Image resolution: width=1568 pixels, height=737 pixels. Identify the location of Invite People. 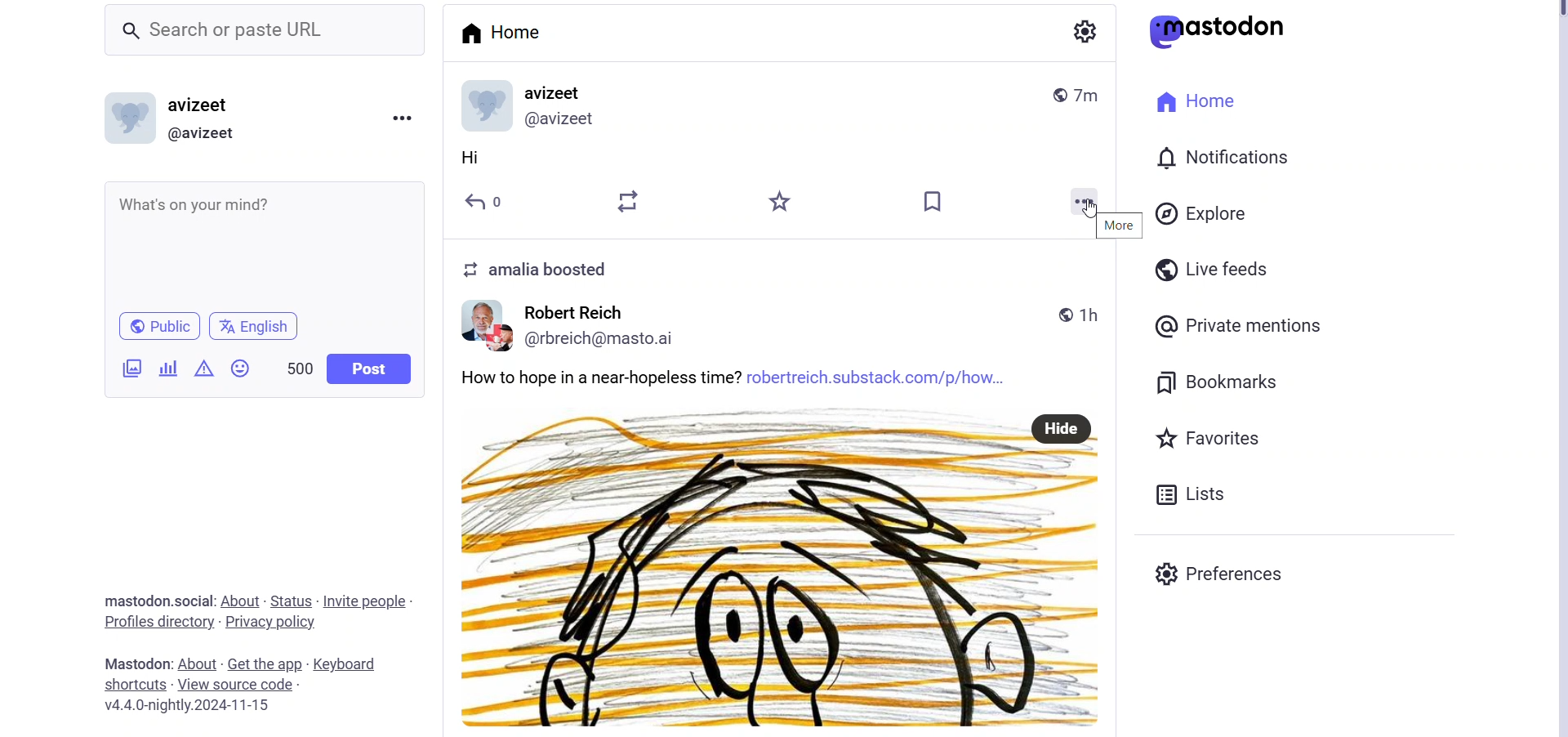
(367, 601).